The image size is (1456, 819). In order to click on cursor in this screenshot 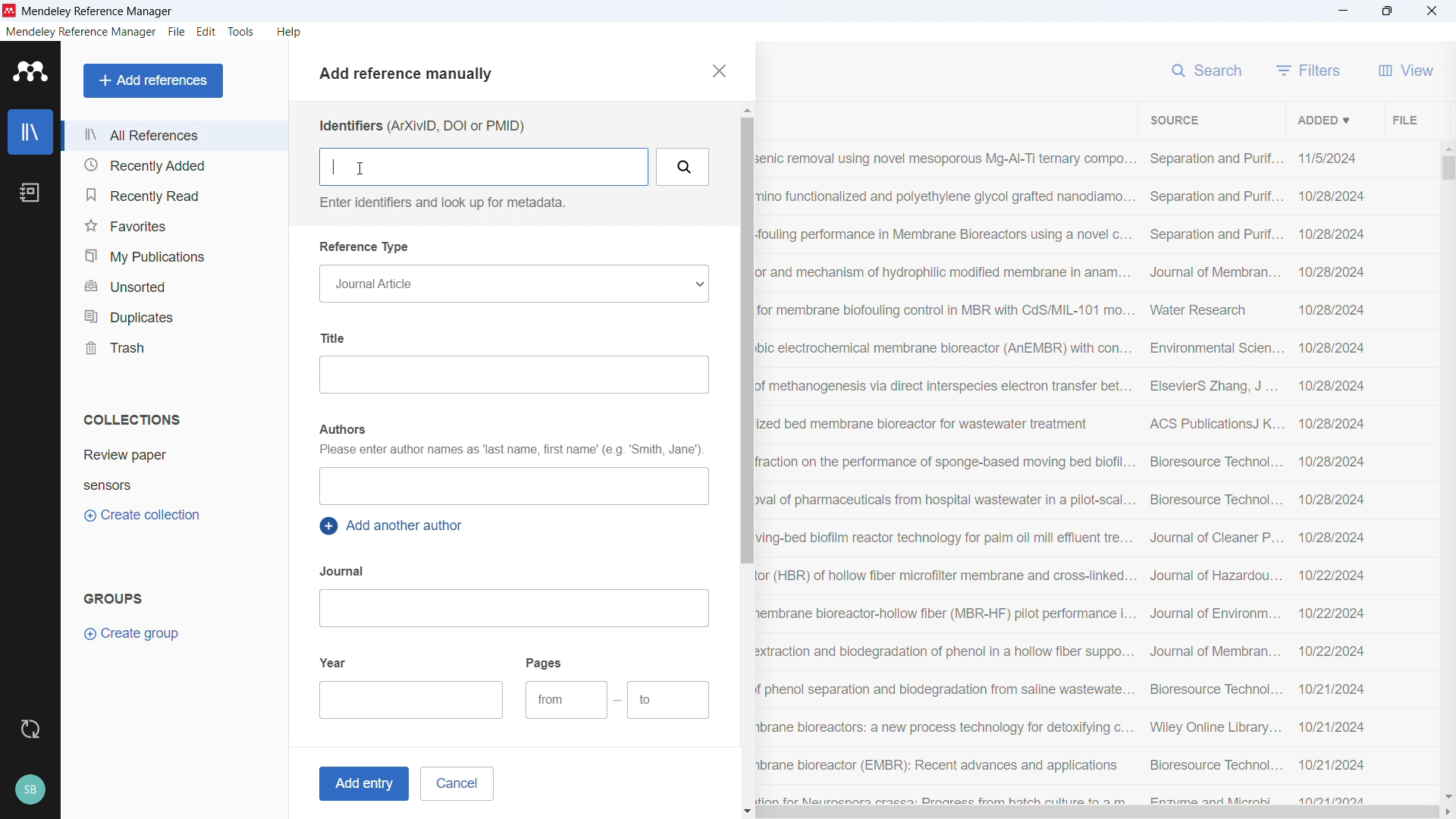, I will do `click(359, 168)`.